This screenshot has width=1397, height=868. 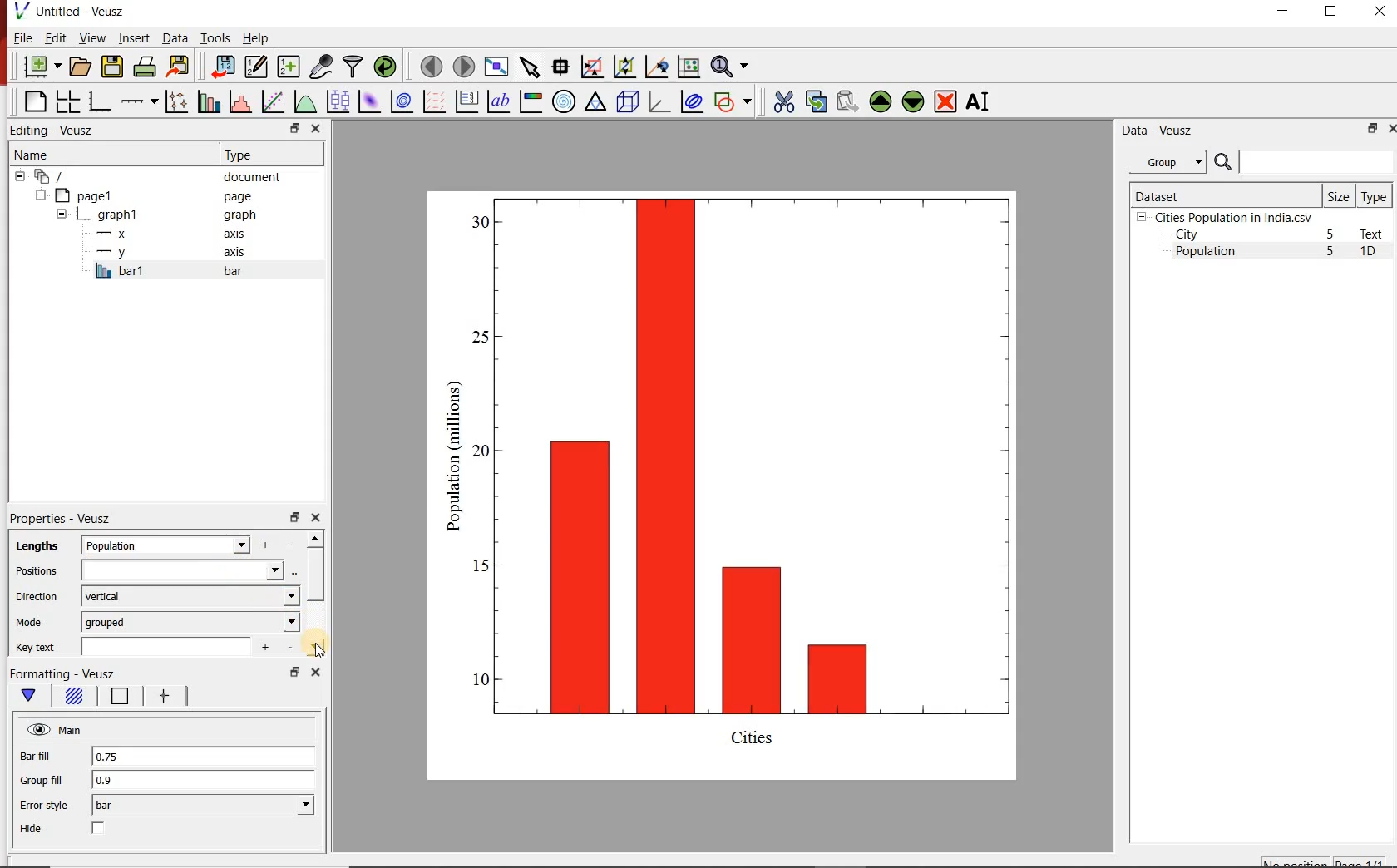 I want to click on cut the selected widget, so click(x=781, y=101).